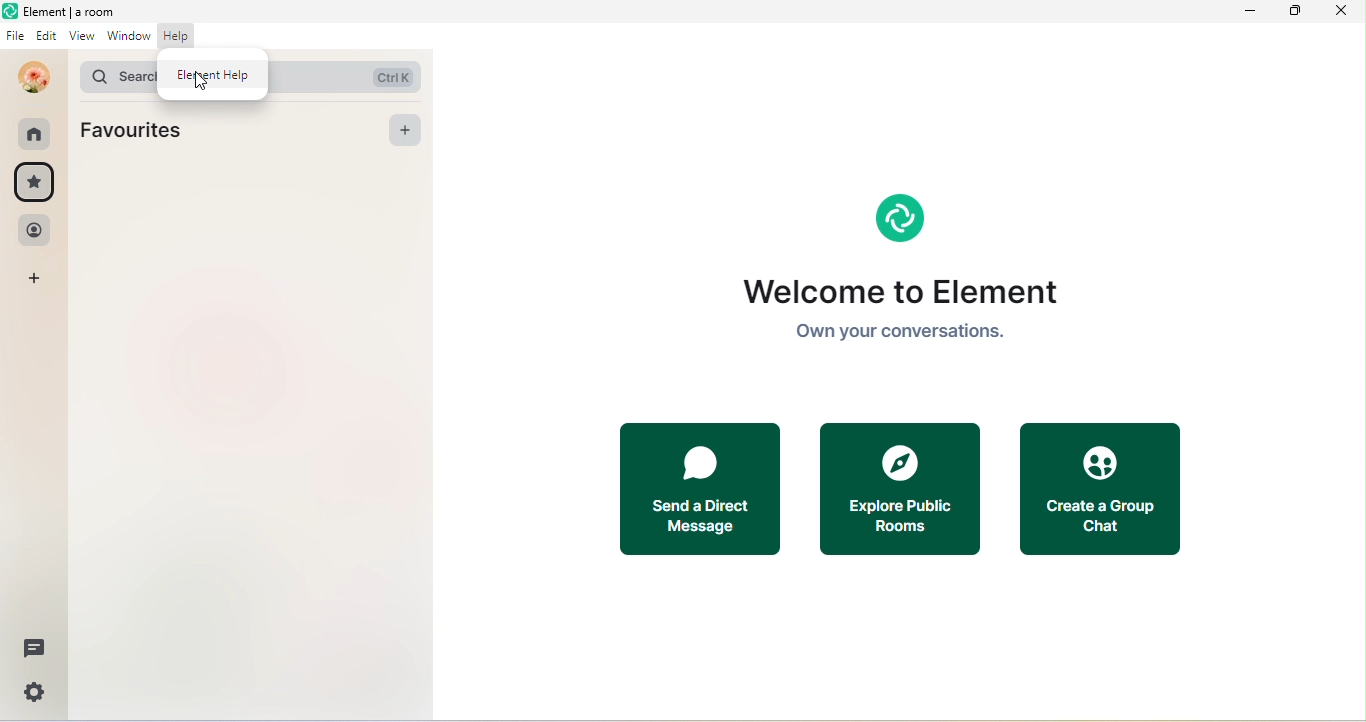 This screenshot has height=722, width=1366. What do you see at coordinates (1340, 12) in the screenshot?
I see `close` at bounding box center [1340, 12].